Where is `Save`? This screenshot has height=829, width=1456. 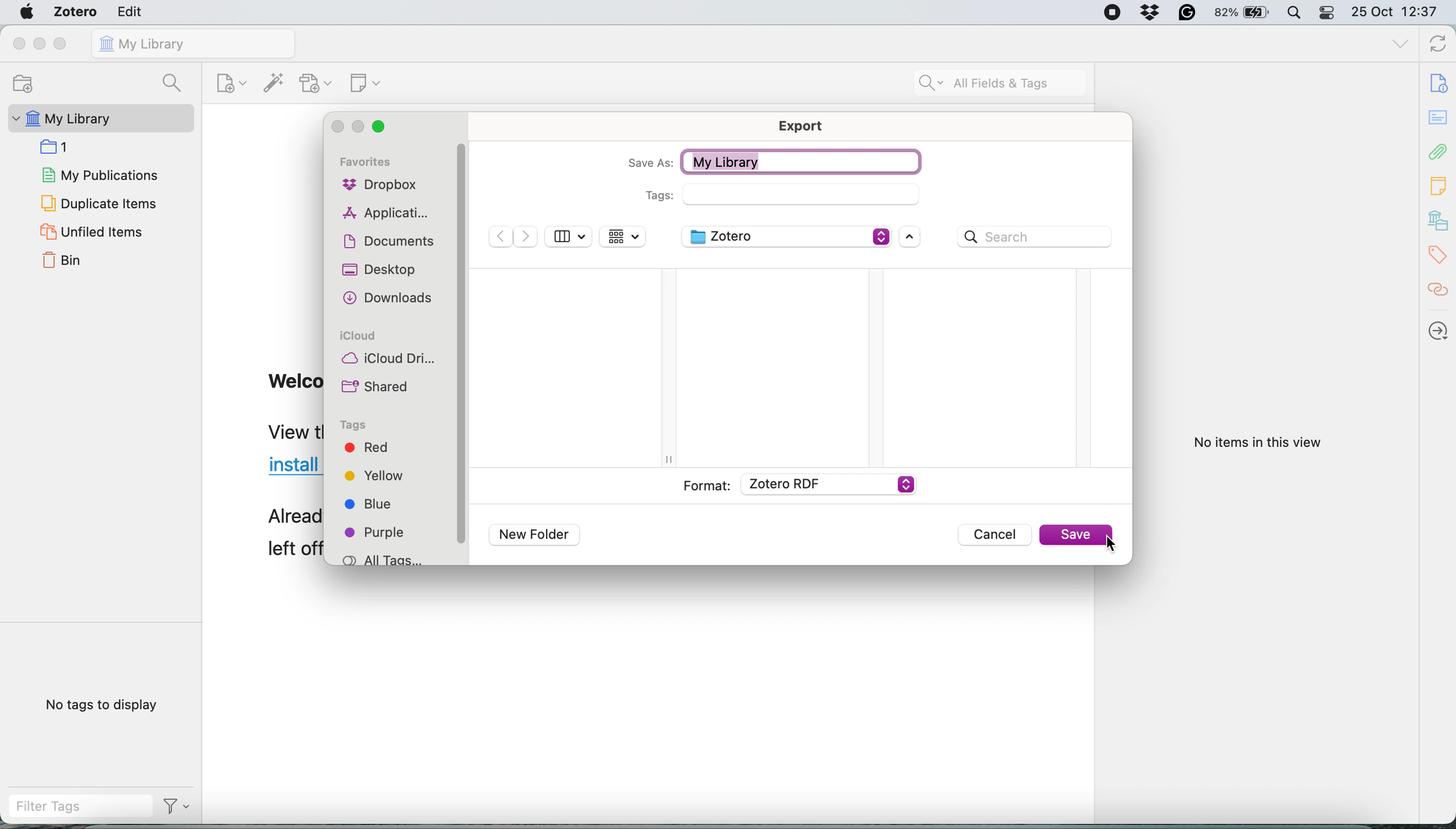
Save is located at coordinates (1074, 535).